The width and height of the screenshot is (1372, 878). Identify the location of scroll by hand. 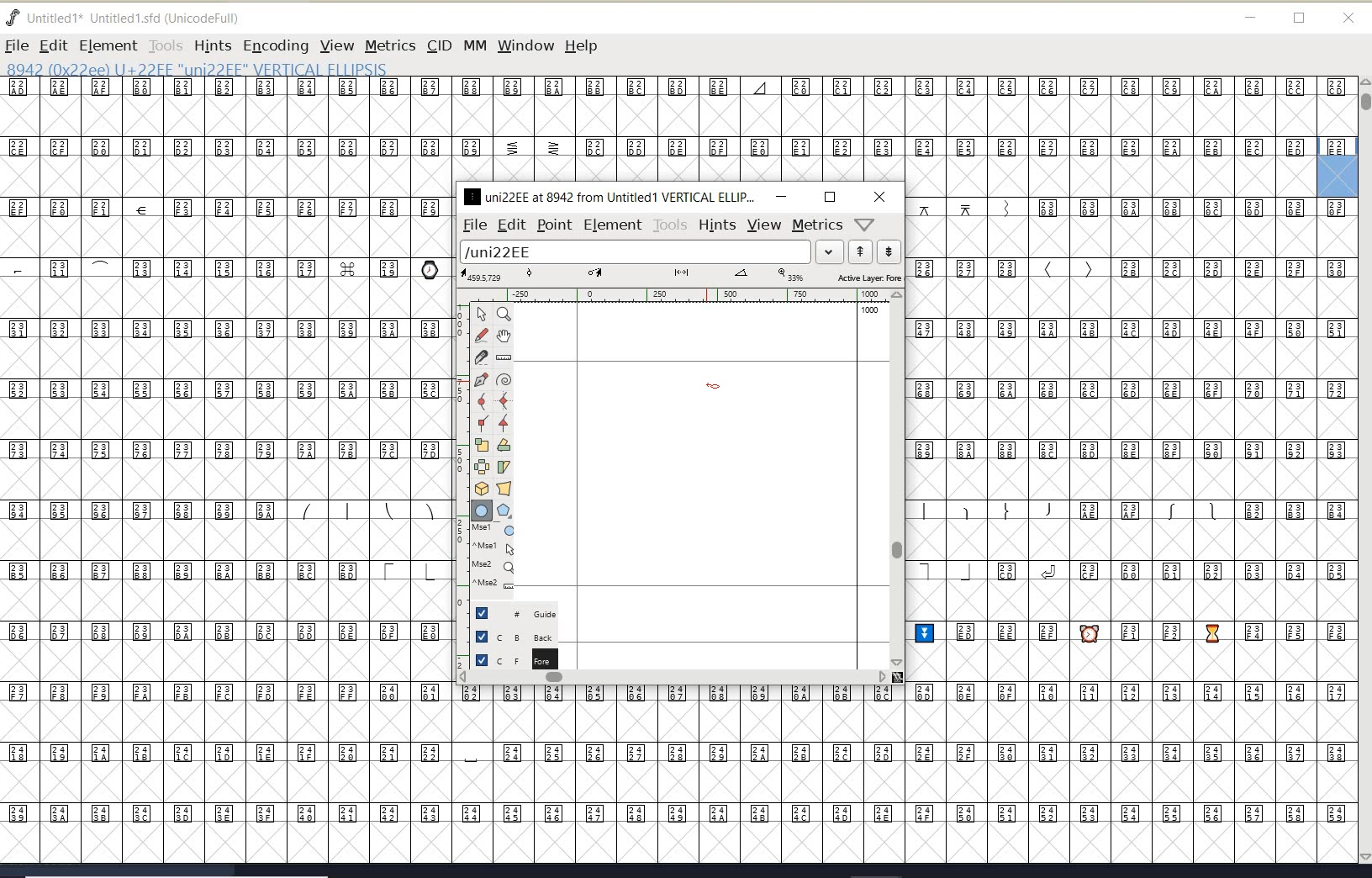
(504, 337).